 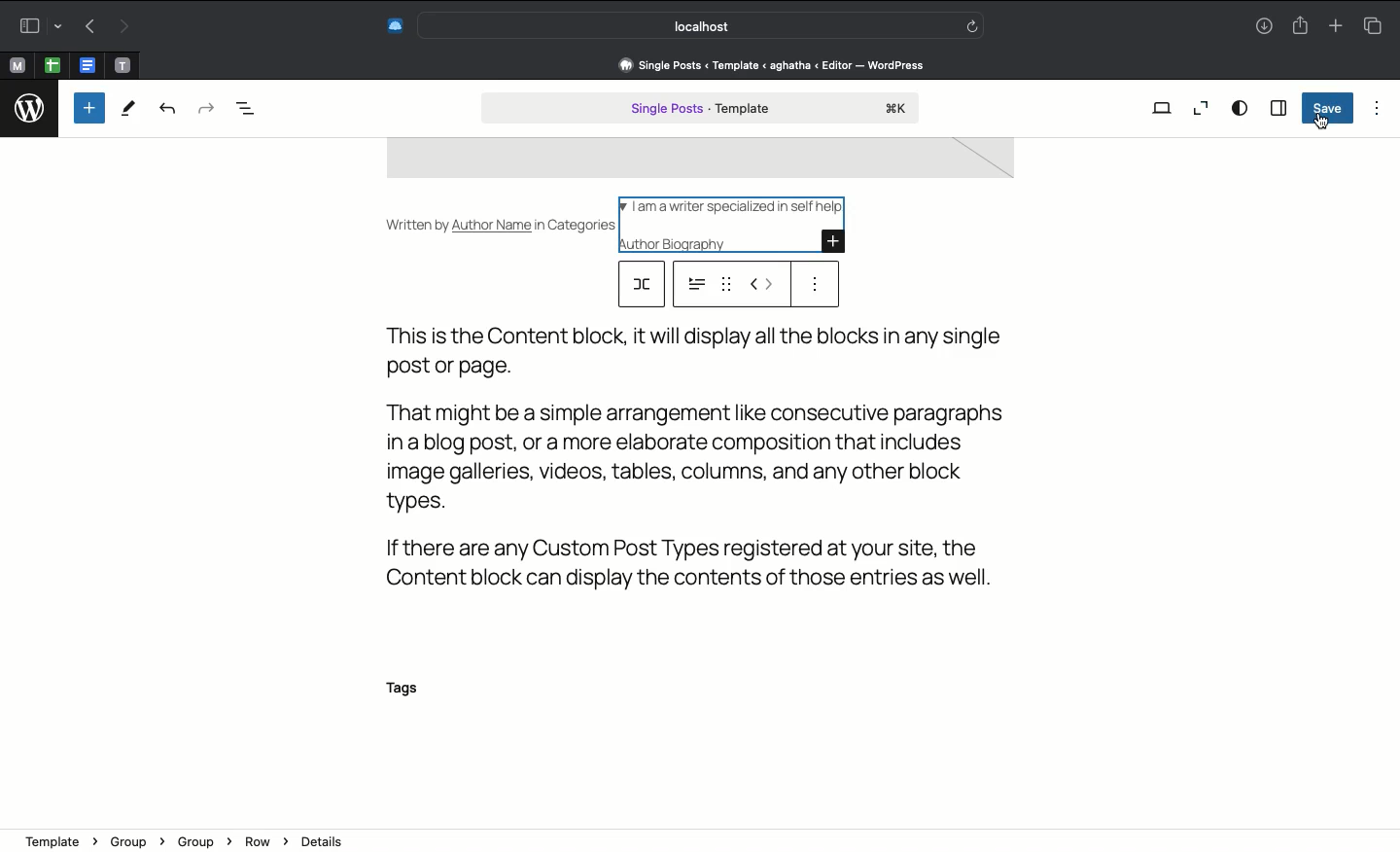 What do you see at coordinates (1324, 105) in the screenshot?
I see `Save` at bounding box center [1324, 105].